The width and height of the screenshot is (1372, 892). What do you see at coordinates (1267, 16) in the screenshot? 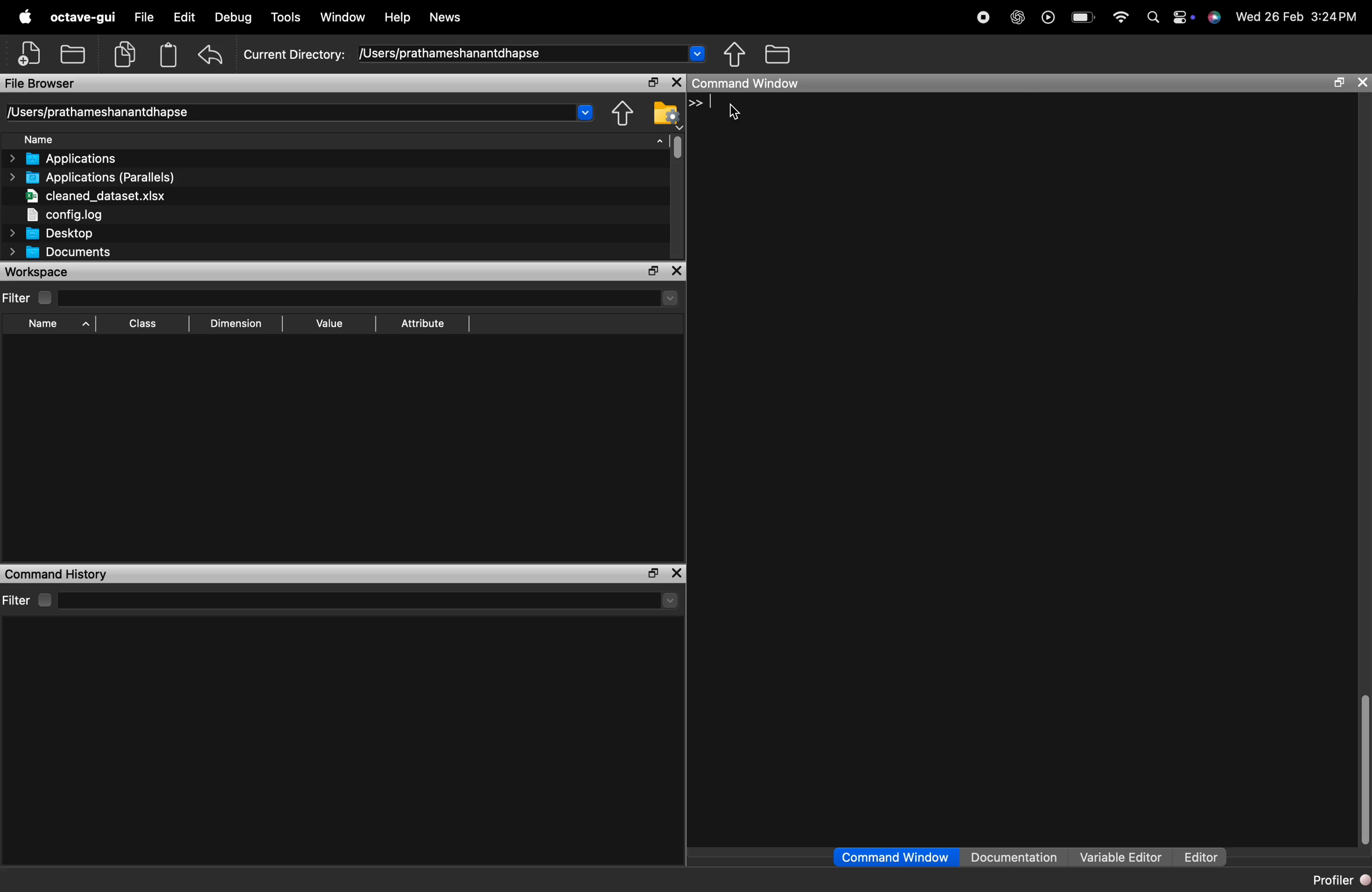
I see ` Wed 26 Feb` at bounding box center [1267, 16].